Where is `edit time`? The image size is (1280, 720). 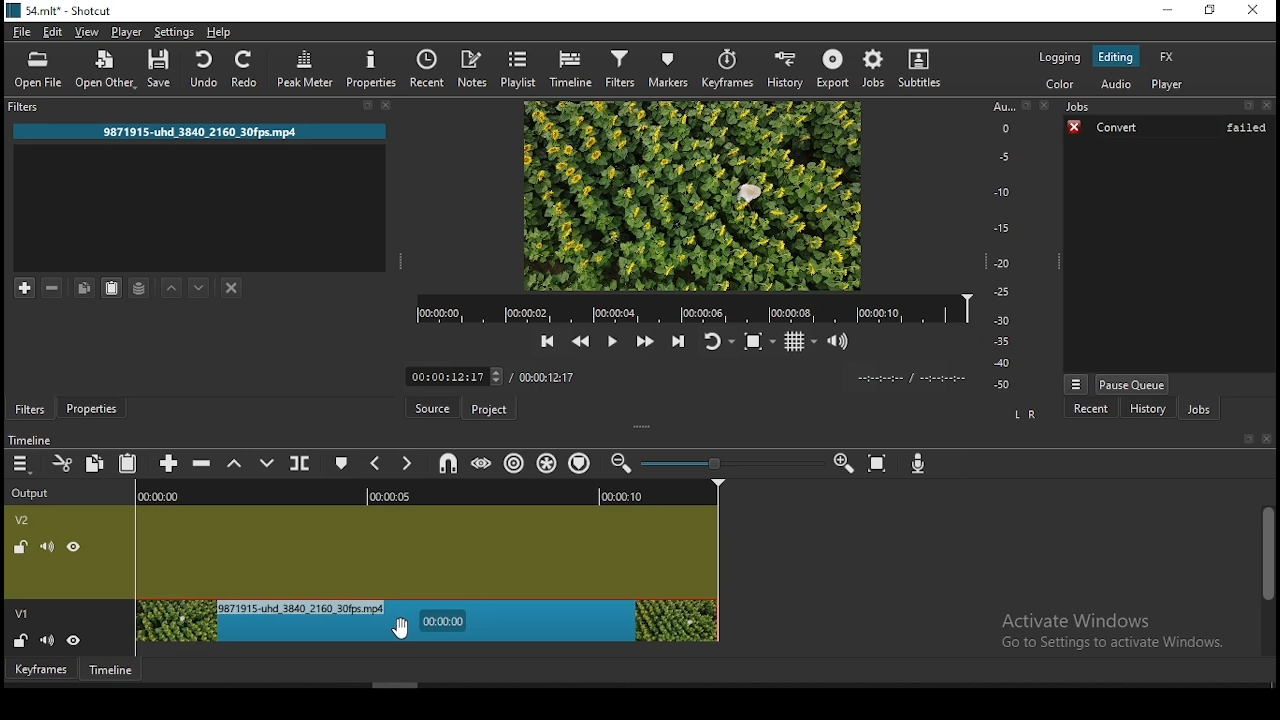
edit time is located at coordinates (455, 376).